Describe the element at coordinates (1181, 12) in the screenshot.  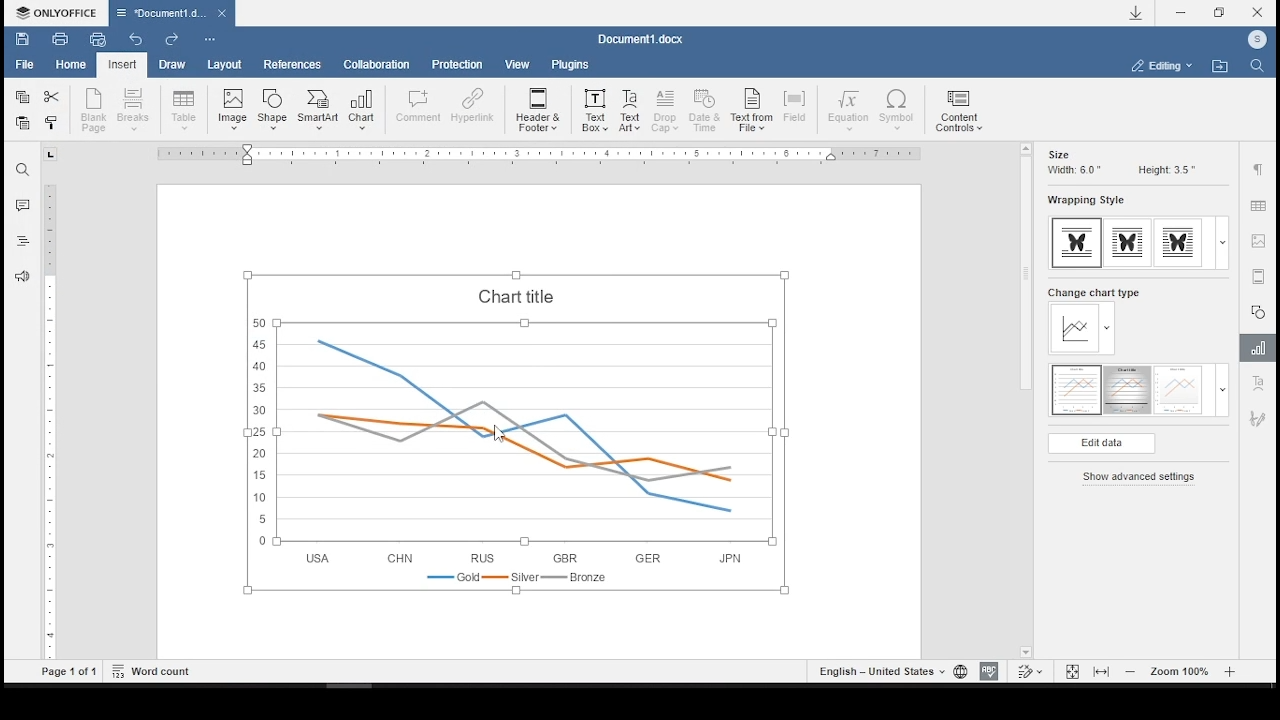
I see `minimize` at that location.